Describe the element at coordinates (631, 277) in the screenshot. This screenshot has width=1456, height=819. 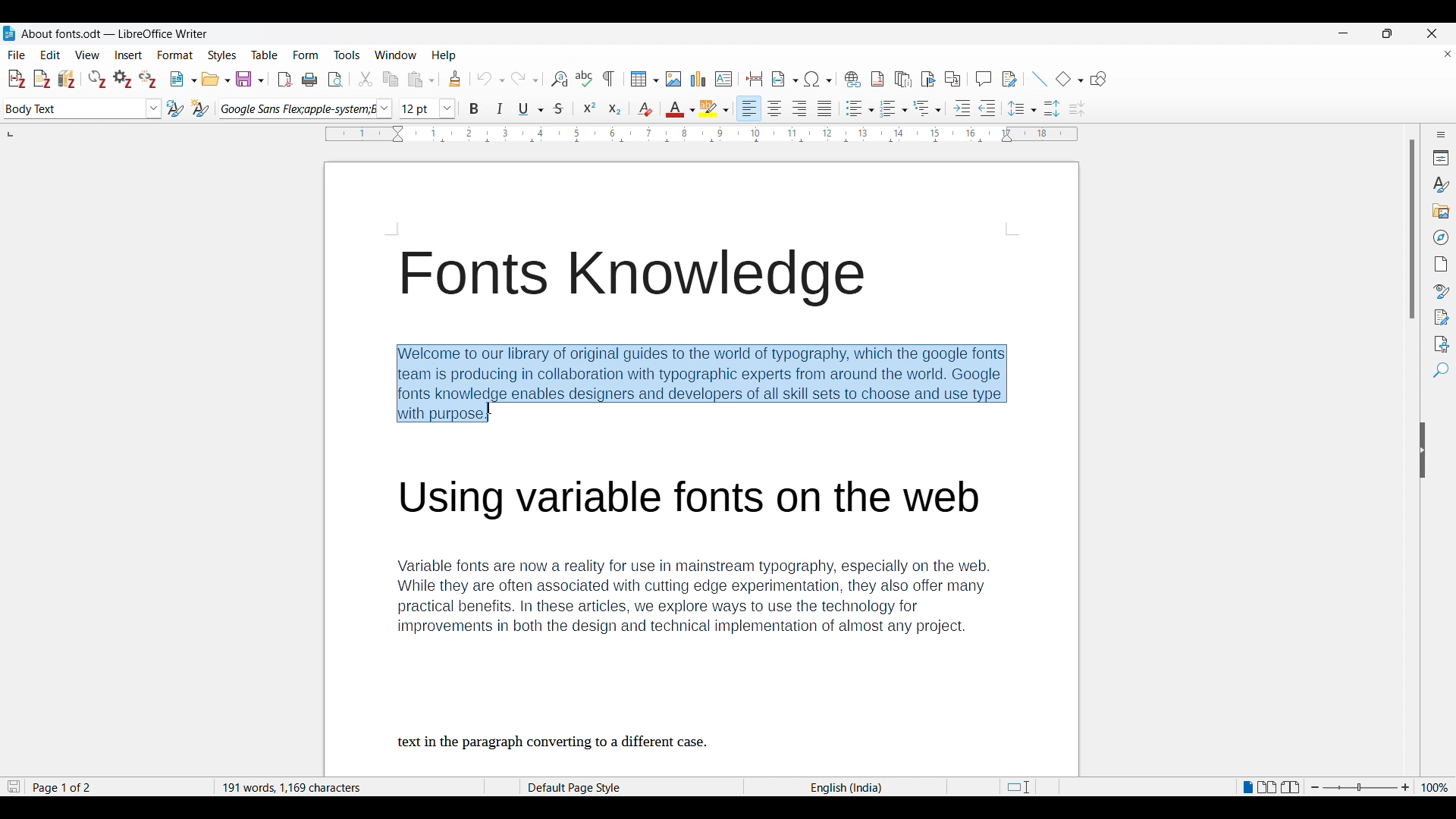
I see `Fonts Knowledge` at that location.